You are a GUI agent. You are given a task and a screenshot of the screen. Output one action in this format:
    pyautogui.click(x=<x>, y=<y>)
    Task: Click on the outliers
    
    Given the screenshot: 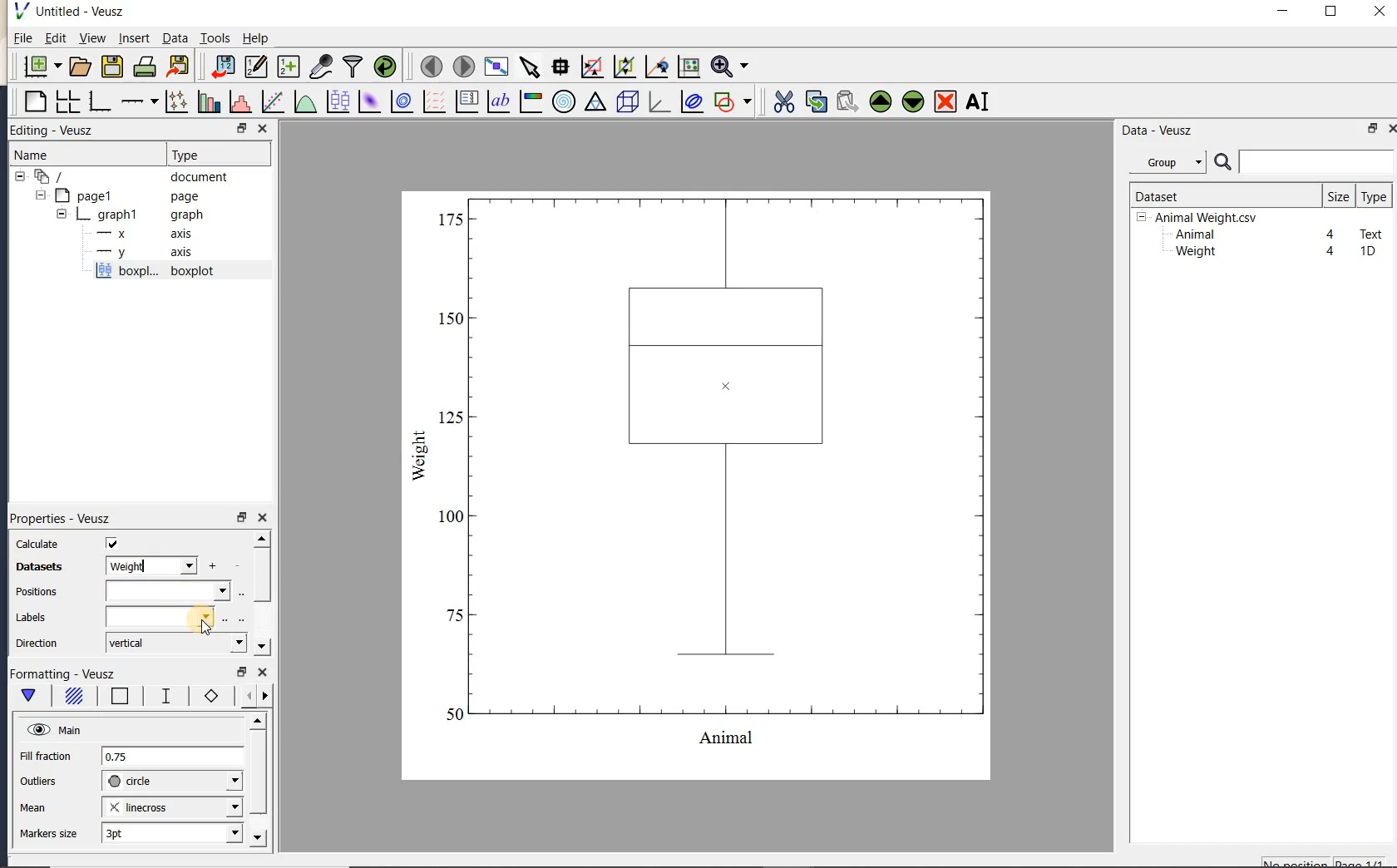 What is the action you would take?
    pyautogui.click(x=39, y=782)
    